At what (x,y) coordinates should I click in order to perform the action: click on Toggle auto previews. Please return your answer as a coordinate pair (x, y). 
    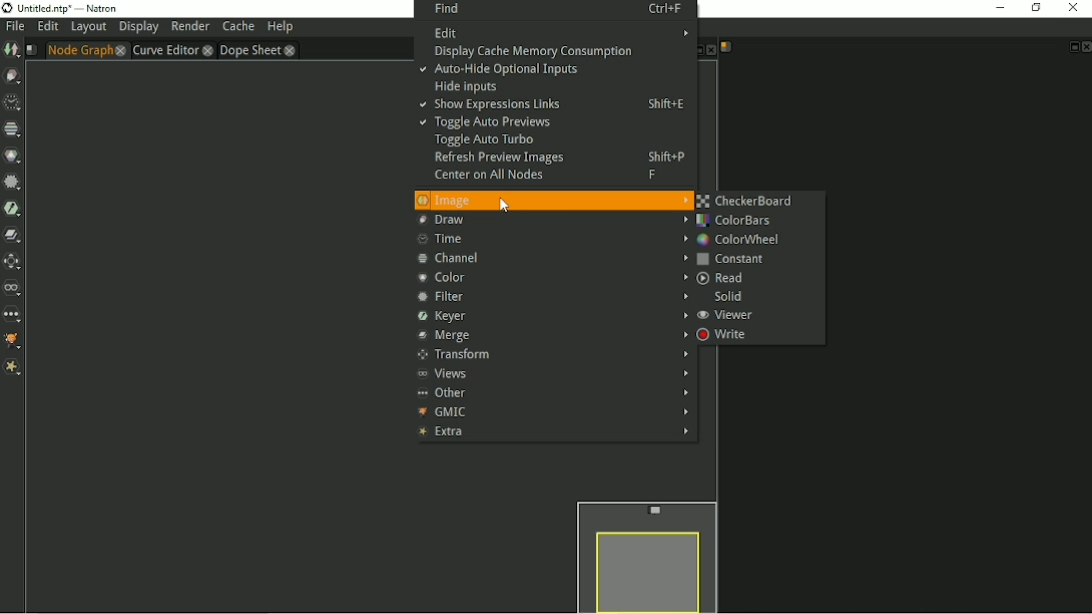
    Looking at the image, I should click on (484, 124).